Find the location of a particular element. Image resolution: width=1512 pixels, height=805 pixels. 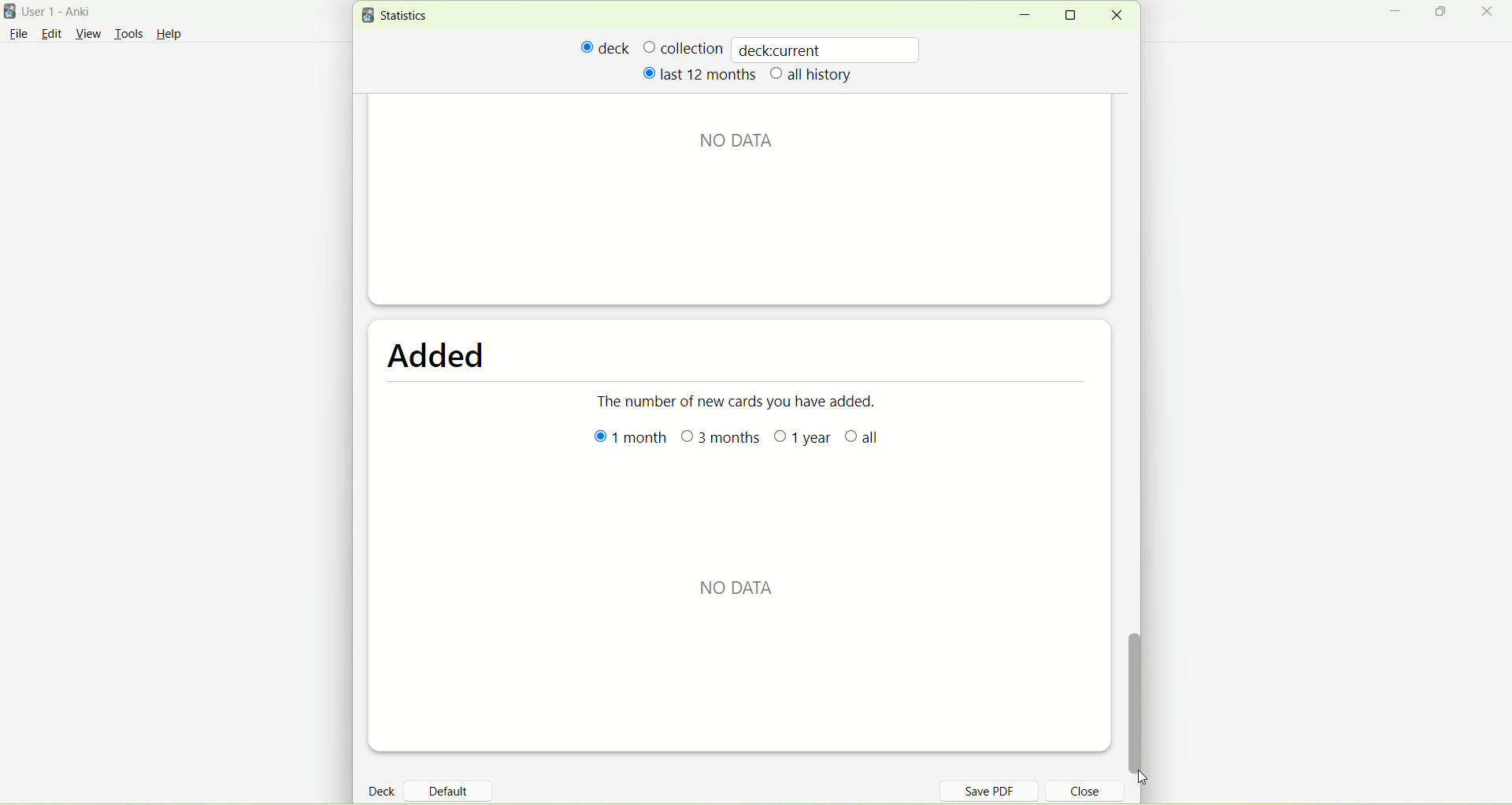

vertical scroll bar is located at coordinates (1142, 703).